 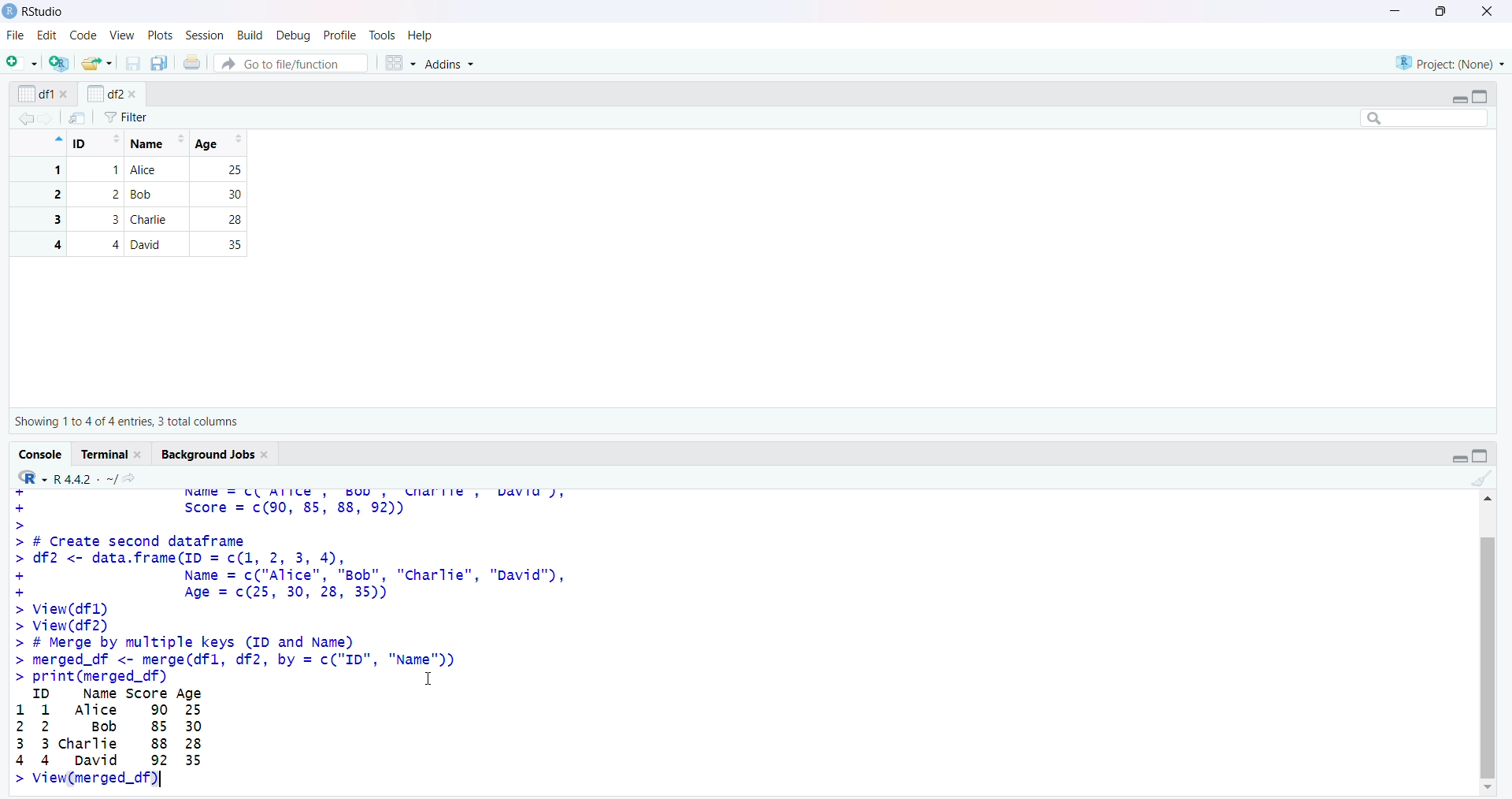 What do you see at coordinates (135, 170) in the screenshot?
I see `1 1 Alice 25` at bounding box center [135, 170].